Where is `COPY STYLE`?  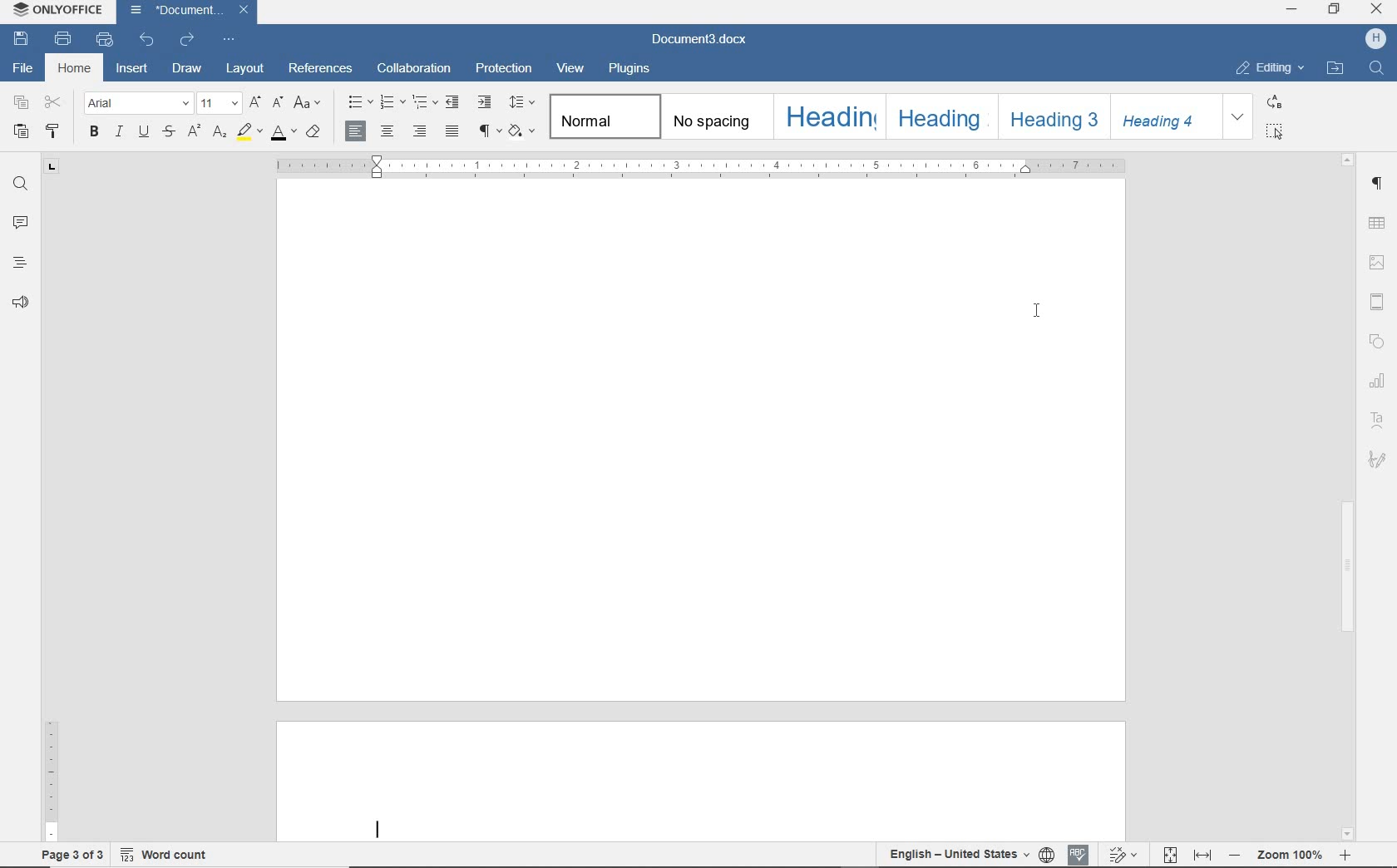 COPY STYLE is located at coordinates (54, 131).